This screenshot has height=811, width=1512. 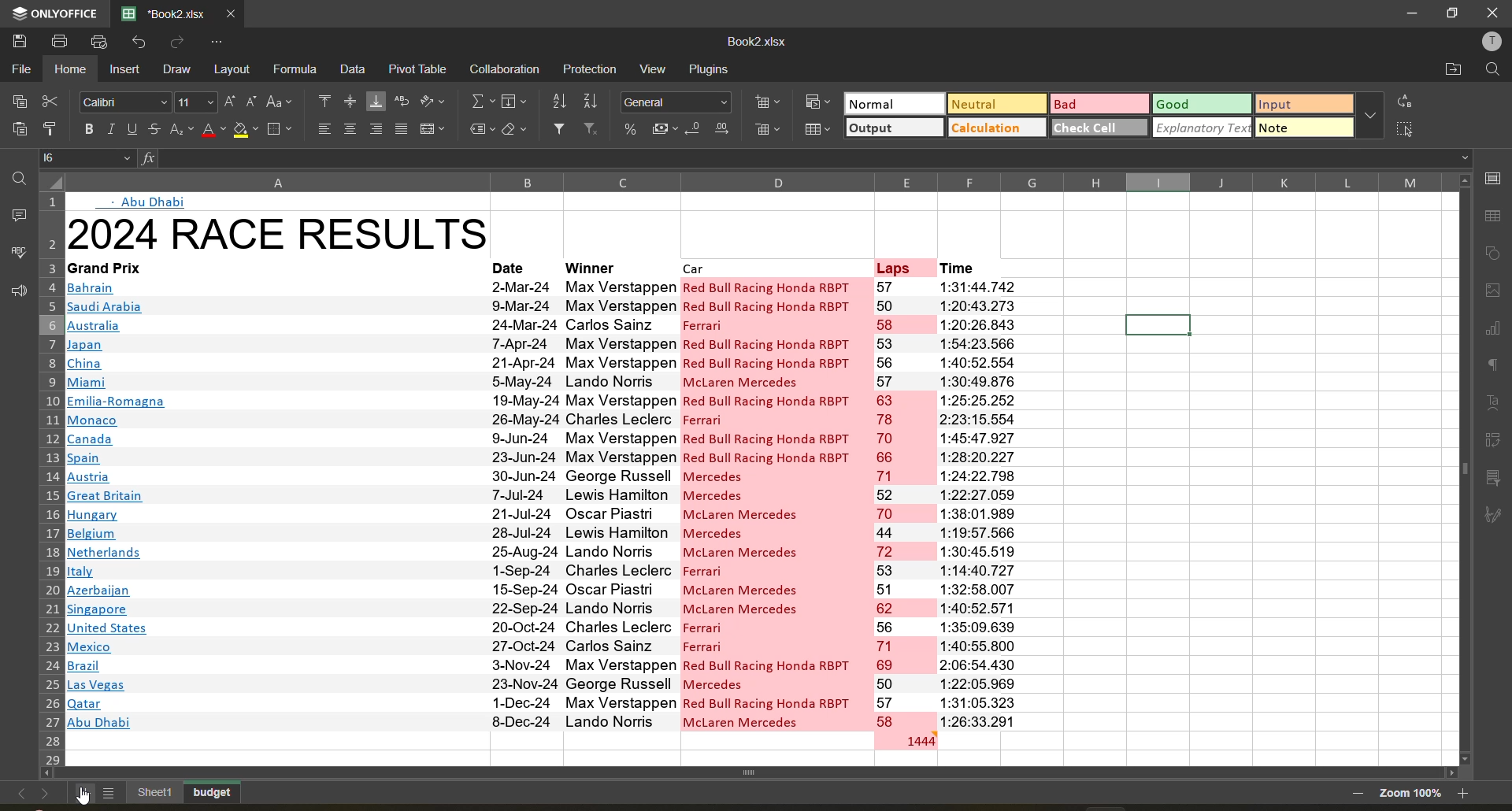 What do you see at coordinates (20, 42) in the screenshot?
I see `save` at bounding box center [20, 42].